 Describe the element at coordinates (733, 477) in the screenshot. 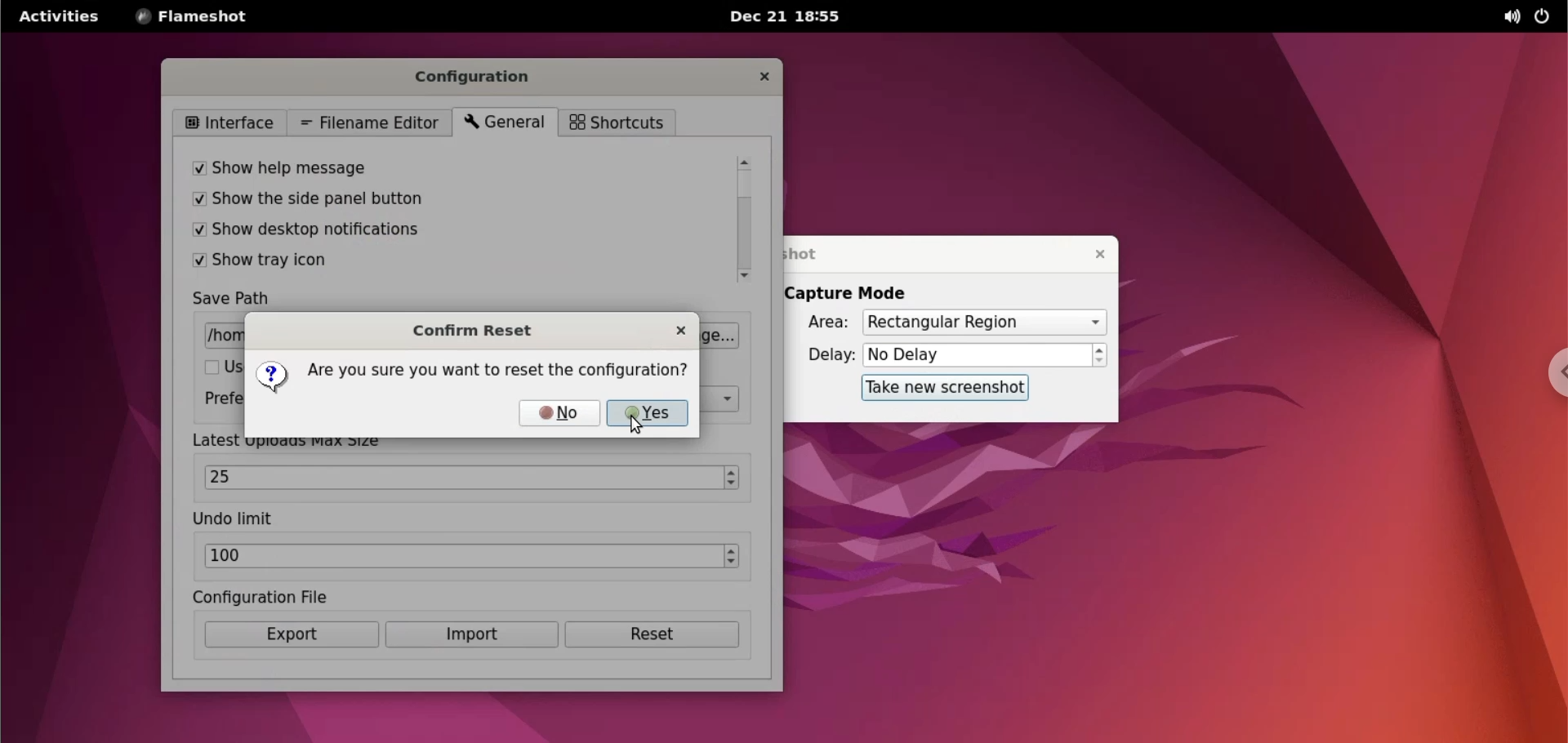

I see `increment or decrement upload max size` at that location.